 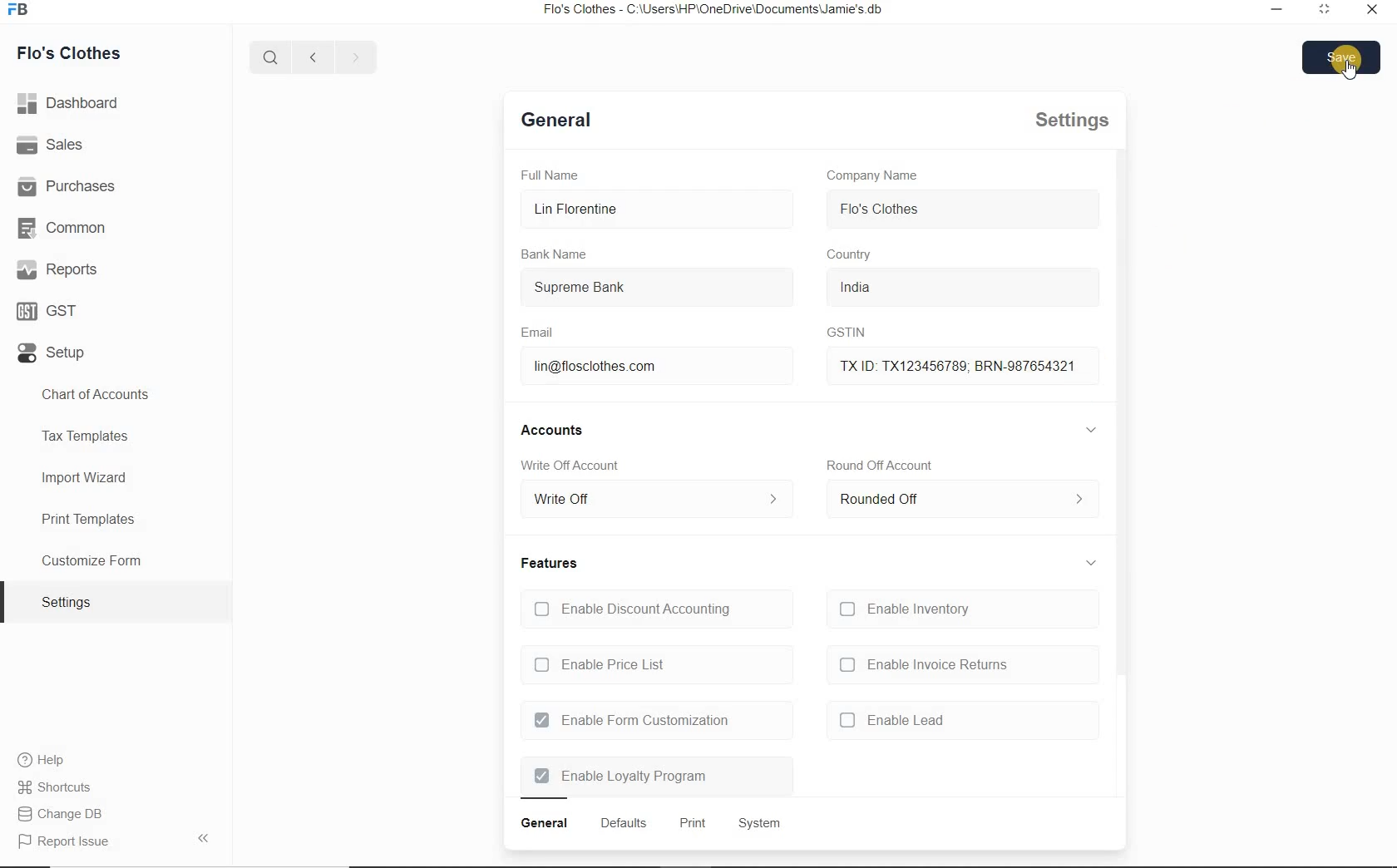 What do you see at coordinates (949, 364) in the screenshot?
I see `txid brn` at bounding box center [949, 364].